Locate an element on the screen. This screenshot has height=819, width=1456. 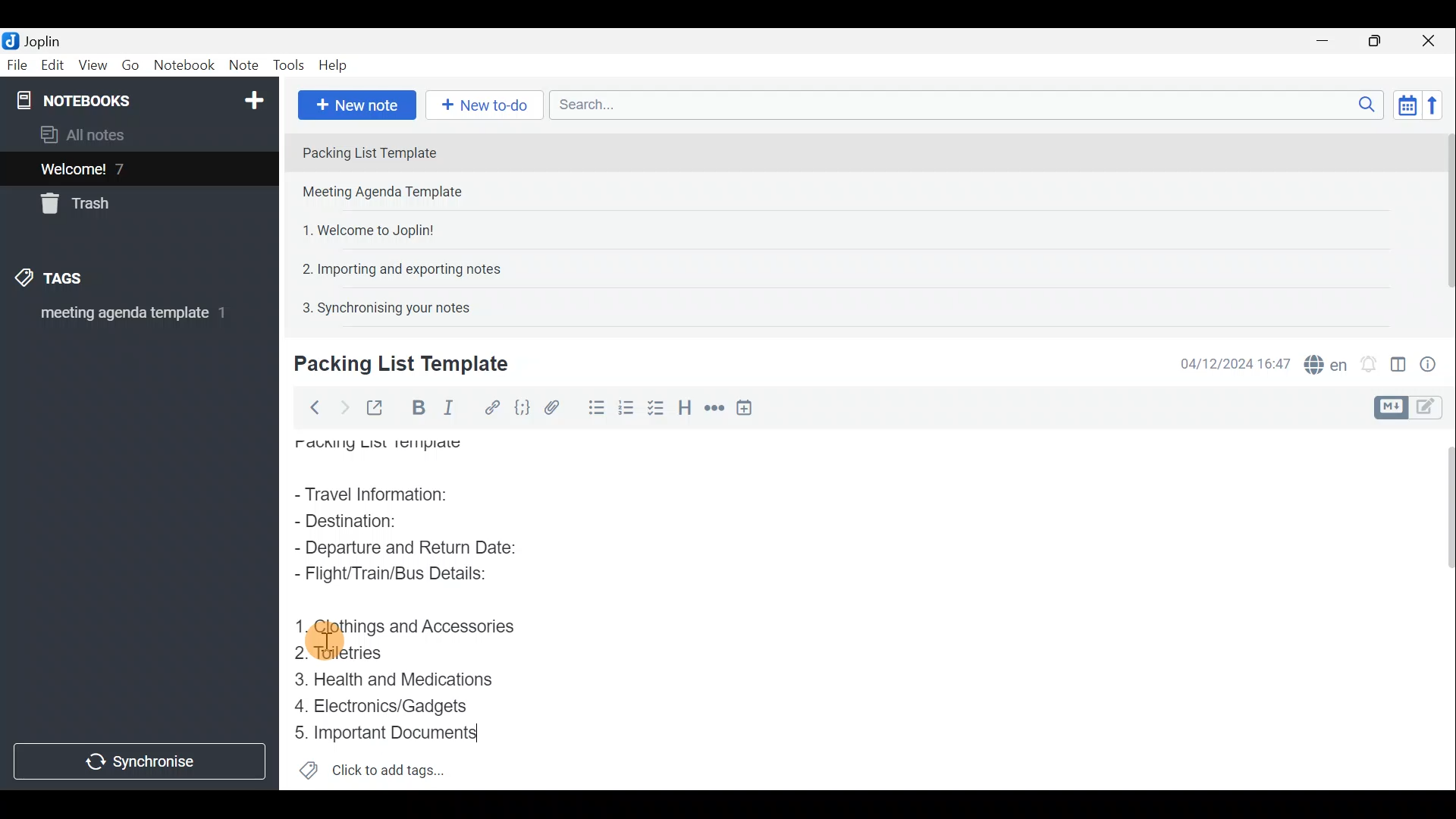
Click to add tags is located at coordinates (372, 770).